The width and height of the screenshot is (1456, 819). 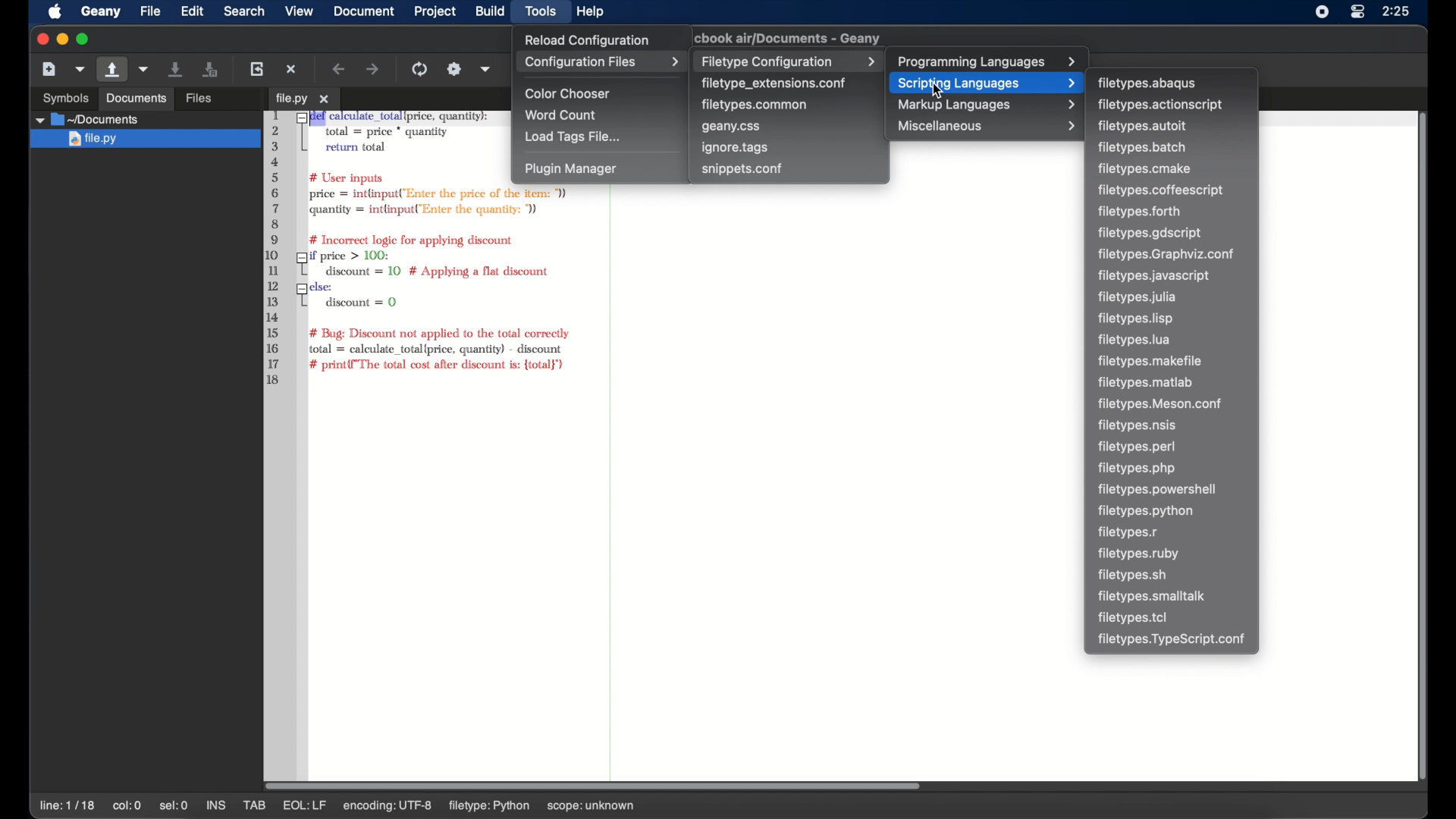 What do you see at coordinates (1142, 127) in the screenshot?
I see `filetypes` at bounding box center [1142, 127].